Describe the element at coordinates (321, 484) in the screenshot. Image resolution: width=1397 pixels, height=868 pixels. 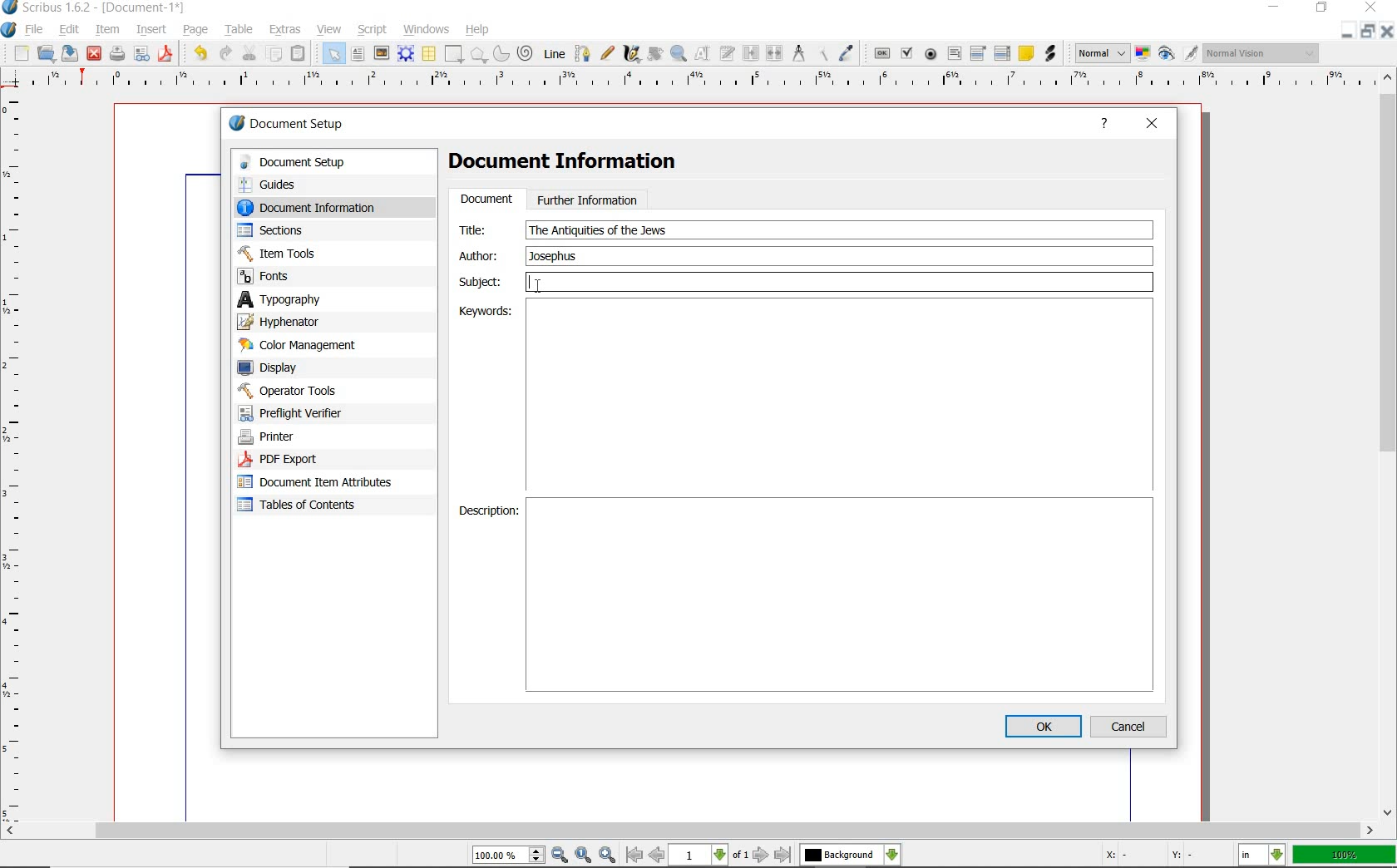
I see `document item attributes` at that location.